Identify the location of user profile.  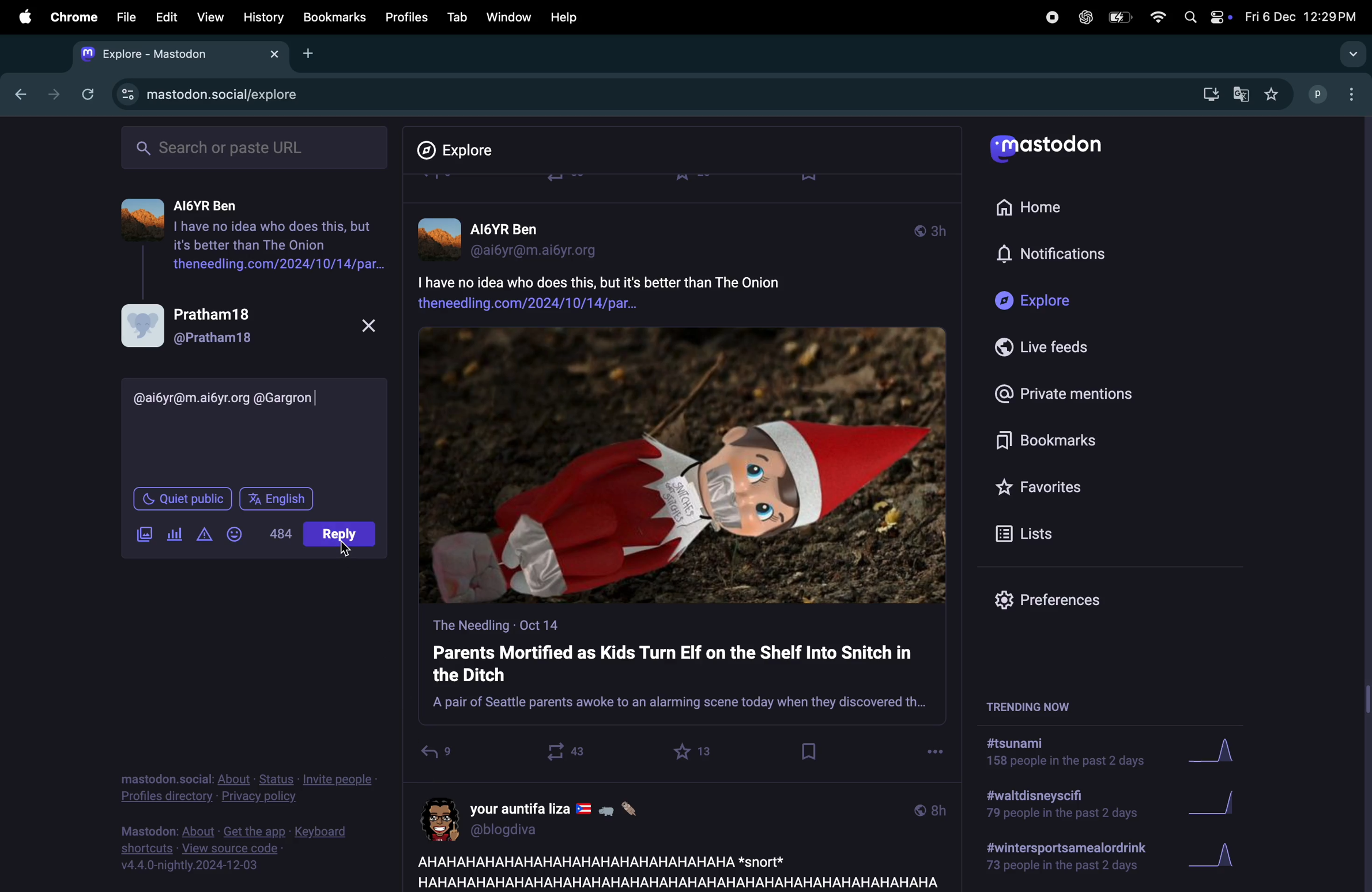
(550, 817).